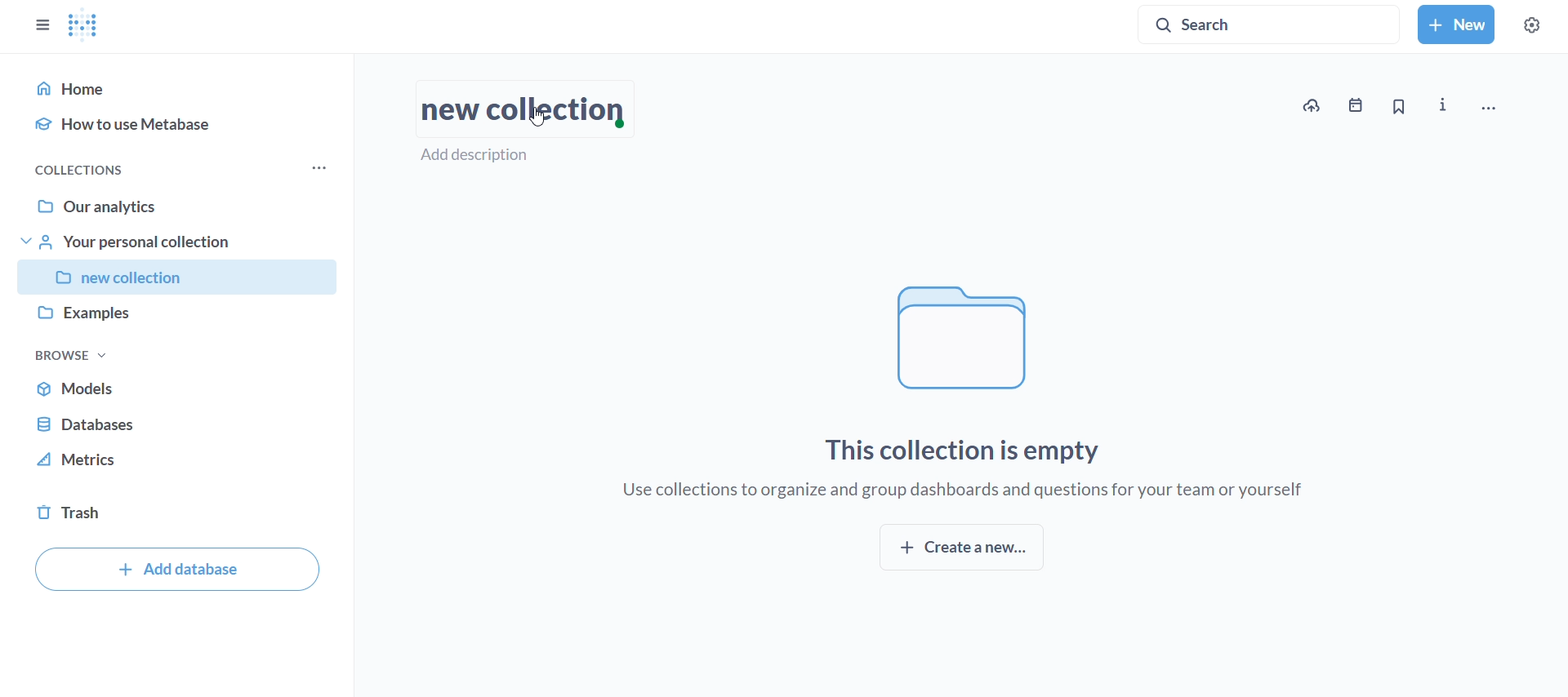  I want to click on move, trash and more, so click(1503, 102).